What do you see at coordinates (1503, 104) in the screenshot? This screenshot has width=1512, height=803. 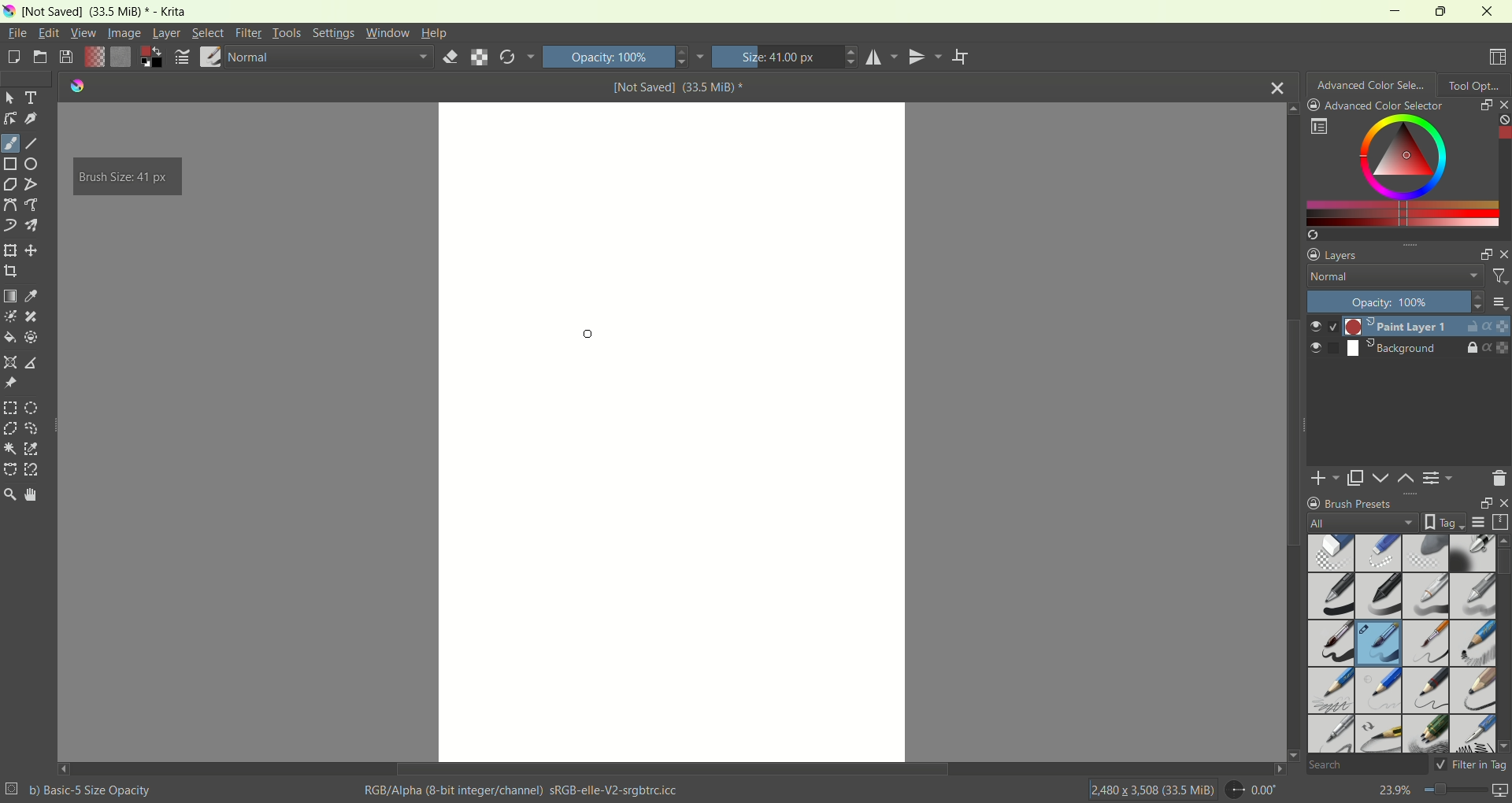 I see `close docker` at bounding box center [1503, 104].